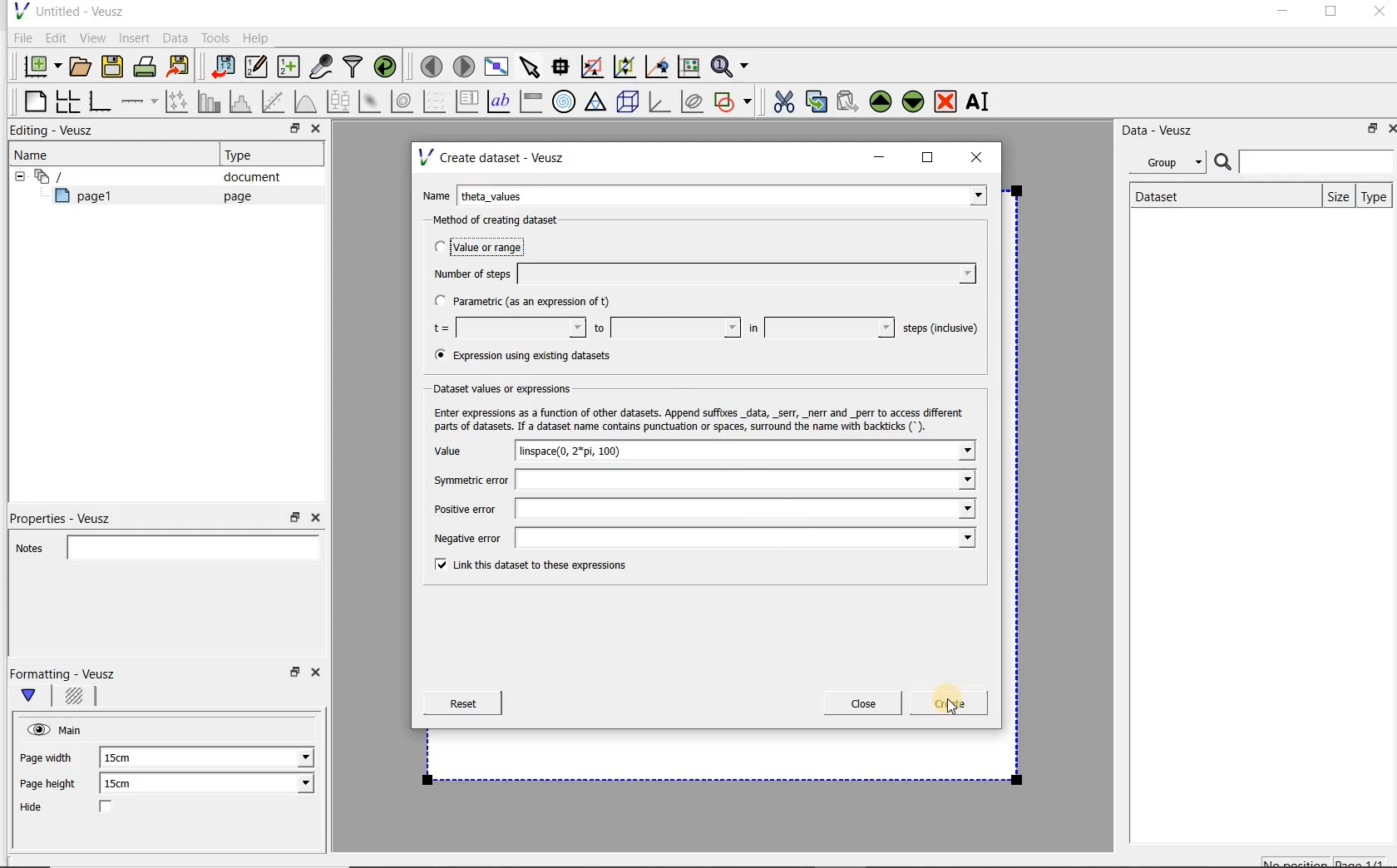 This screenshot has width=1397, height=868. I want to click on click to reset graph axes, so click(689, 66).